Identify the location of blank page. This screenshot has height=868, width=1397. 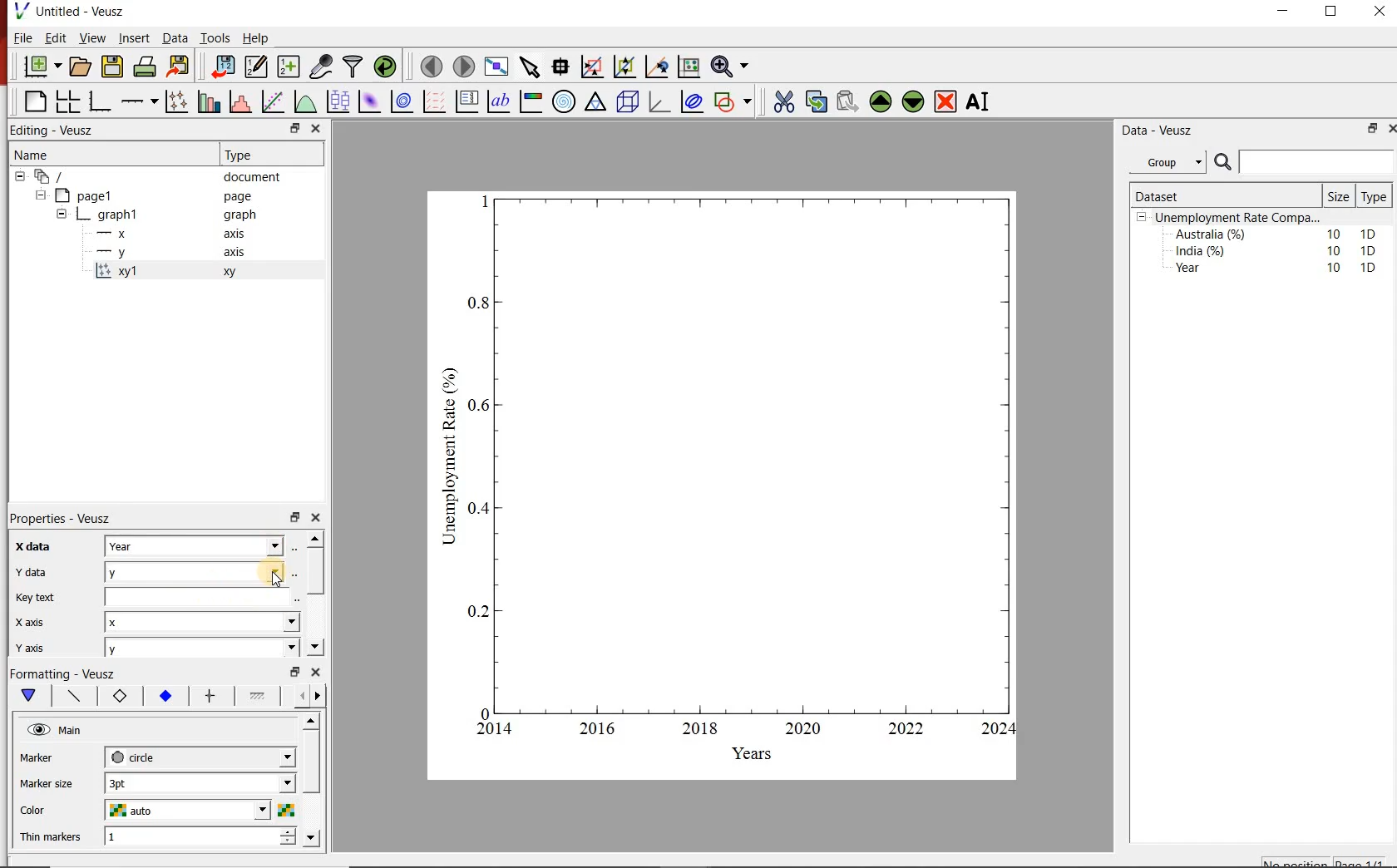
(34, 100).